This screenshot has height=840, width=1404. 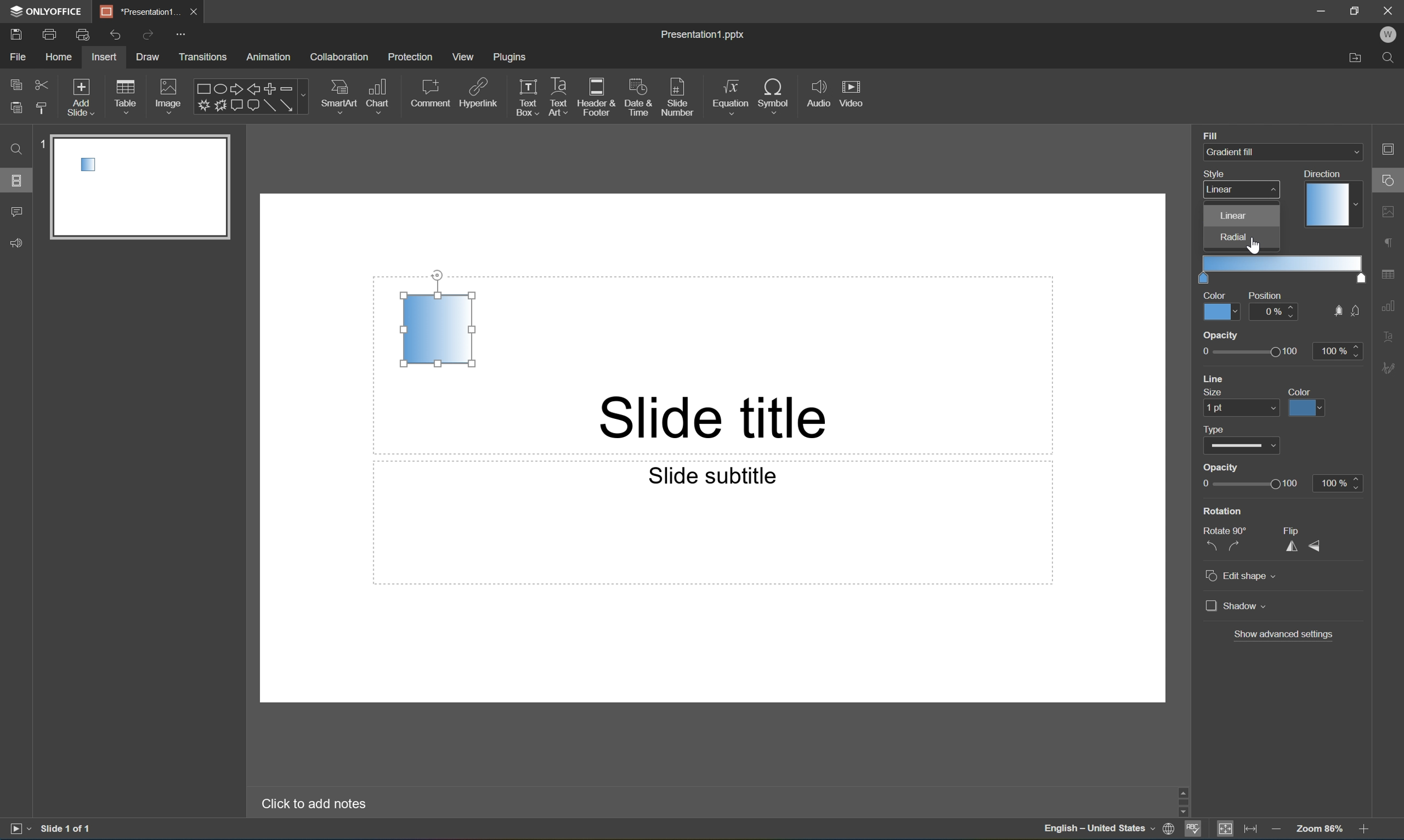 What do you see at coordinates (1252, 828) in the screenshot?
I see `Fit to width` at bounding box center [1252, 828].